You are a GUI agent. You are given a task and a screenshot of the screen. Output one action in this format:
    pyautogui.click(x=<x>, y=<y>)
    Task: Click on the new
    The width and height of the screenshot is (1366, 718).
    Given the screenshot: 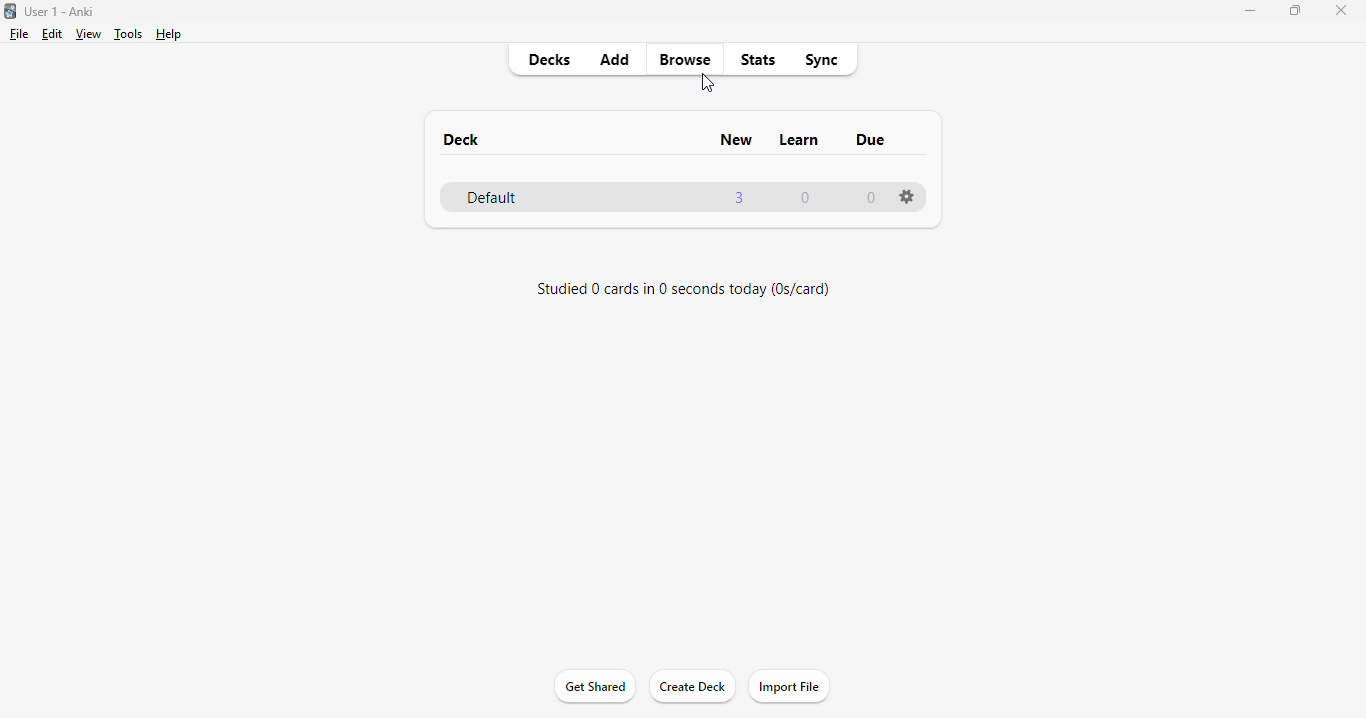 What is the action you would take?
    pyautogui.click(x=735, y=139)
    